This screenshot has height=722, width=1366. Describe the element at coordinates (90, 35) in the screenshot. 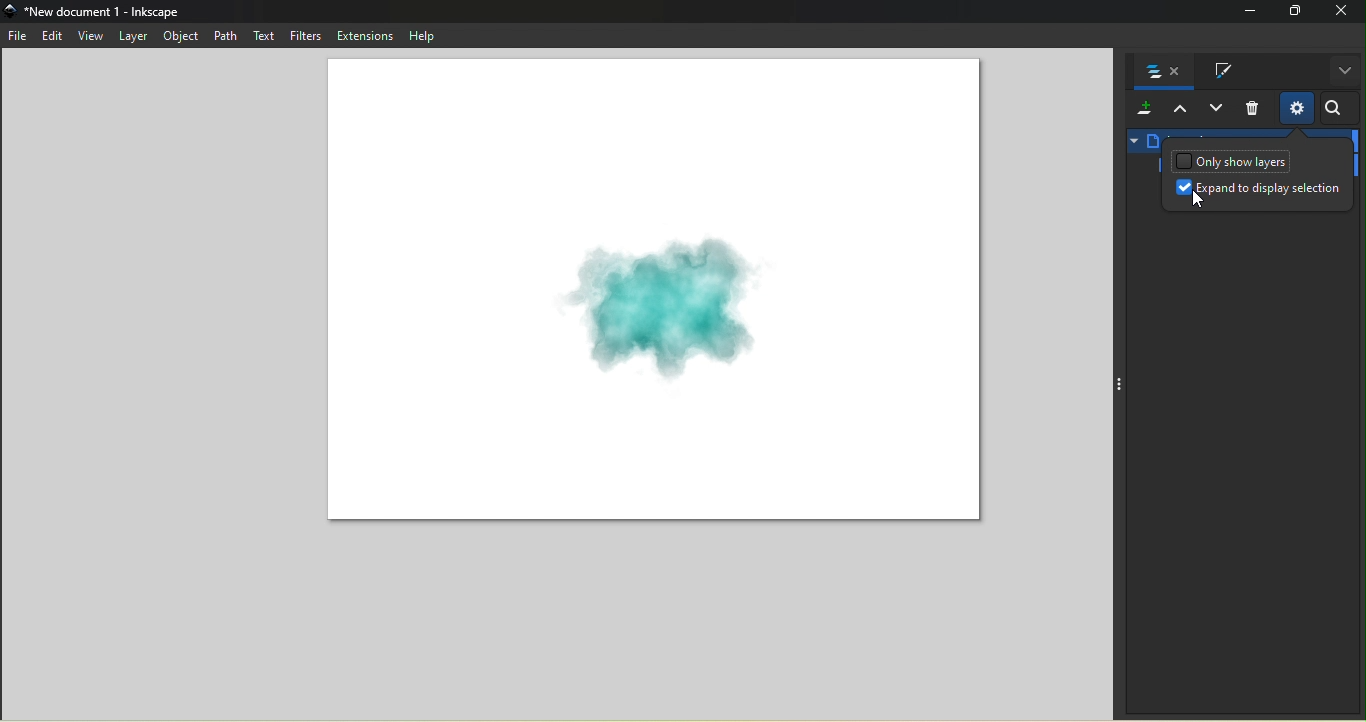

I see `View` at that location.